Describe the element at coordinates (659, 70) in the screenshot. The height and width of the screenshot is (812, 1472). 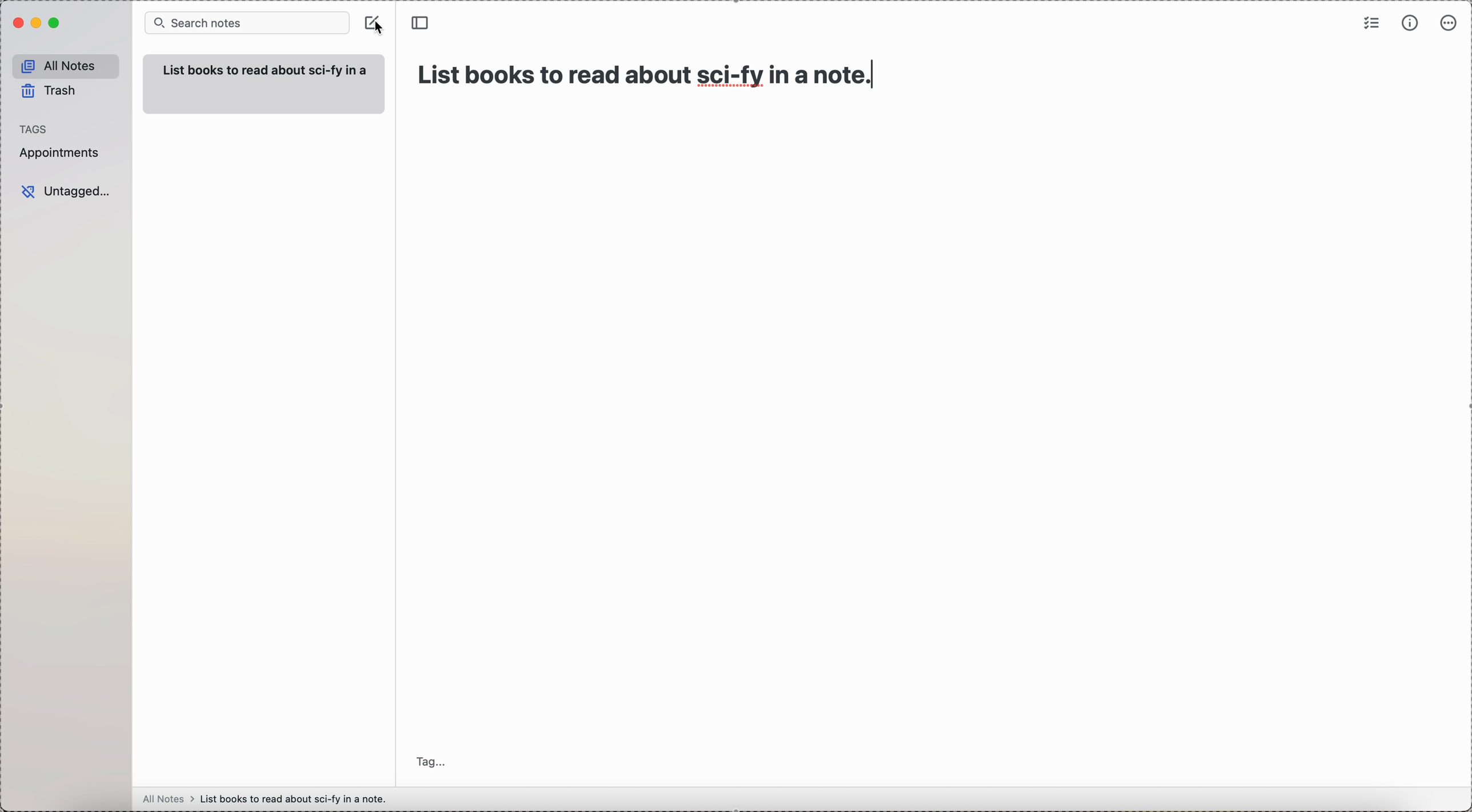
I see `List books to read about sci-fy in a note` at that location.